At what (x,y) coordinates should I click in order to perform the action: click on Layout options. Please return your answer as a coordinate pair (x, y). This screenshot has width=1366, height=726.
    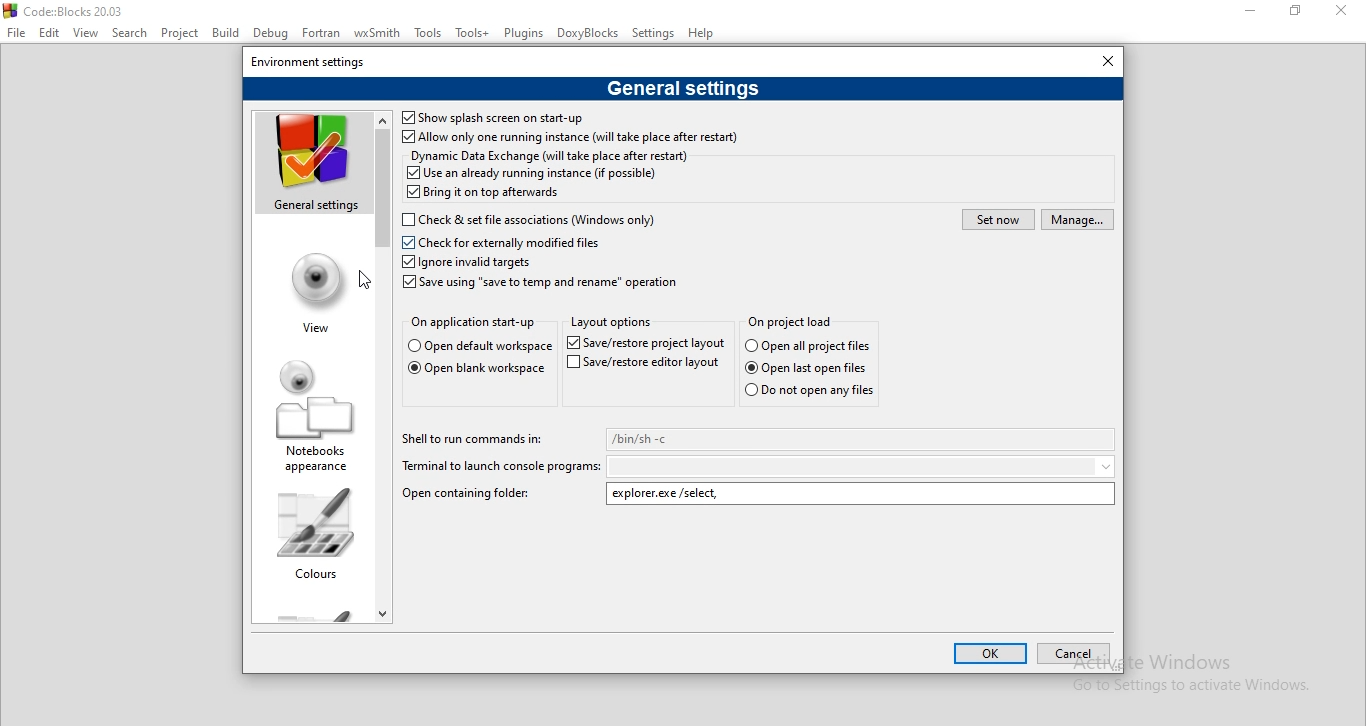
    Looking at the image, I should click on (631, 325).